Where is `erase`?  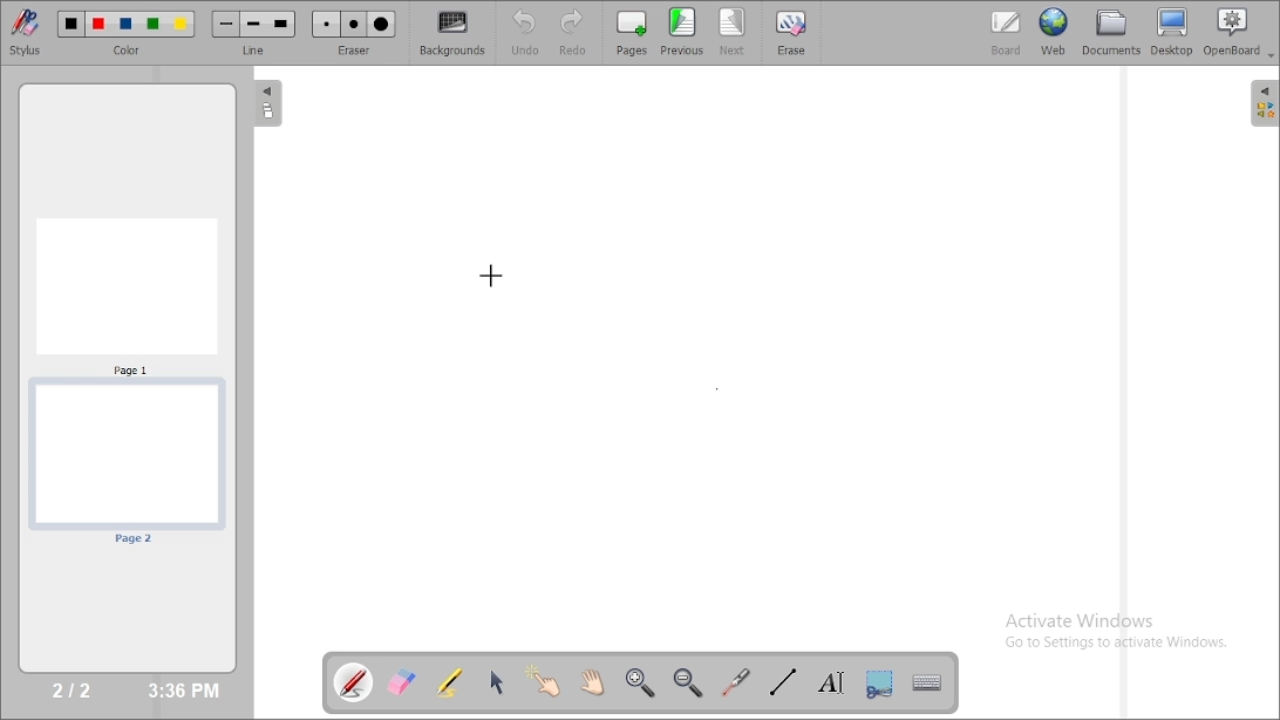
erase is located at coordinates (790, 32).